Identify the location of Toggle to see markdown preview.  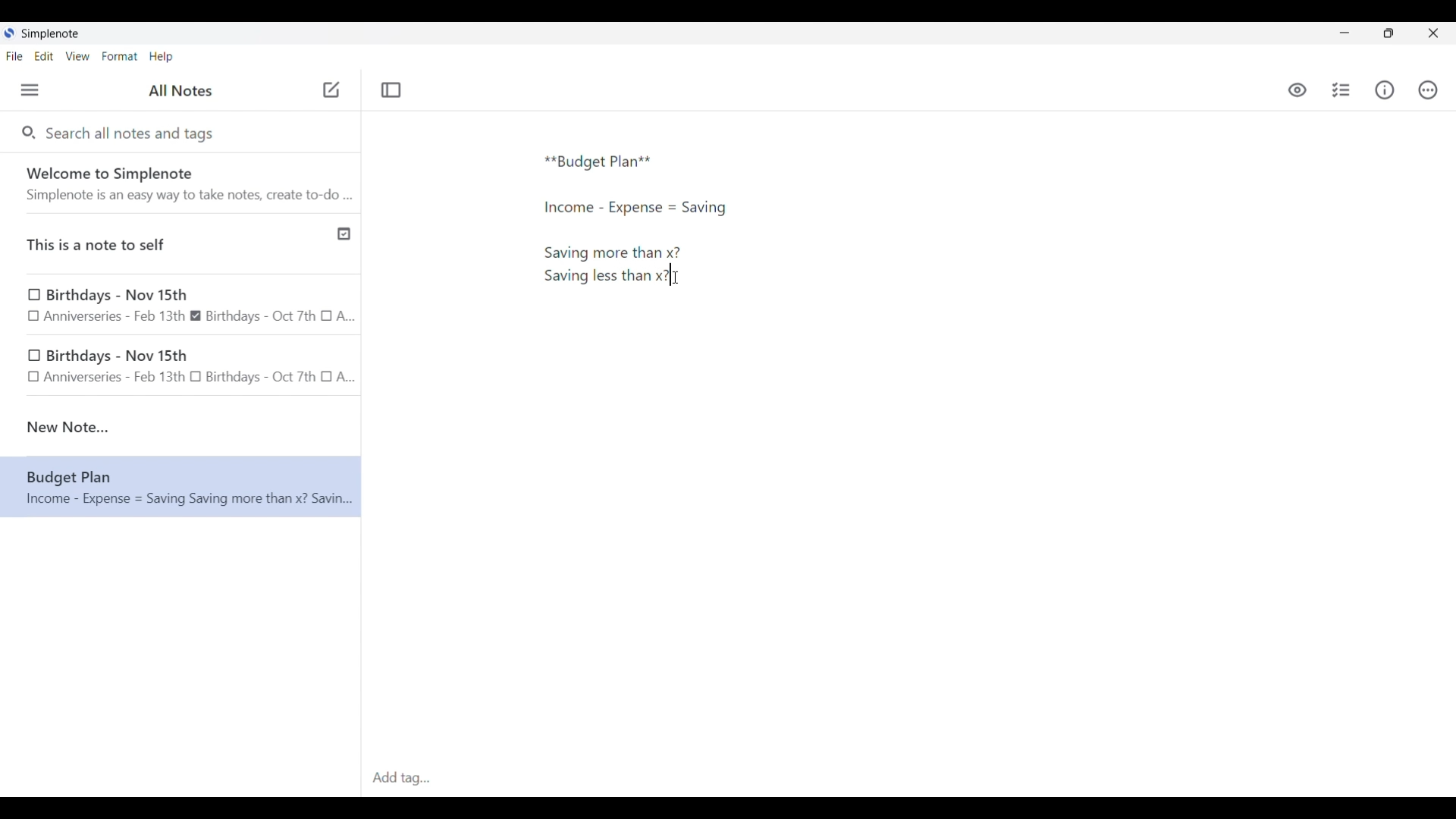
(1298, 90).